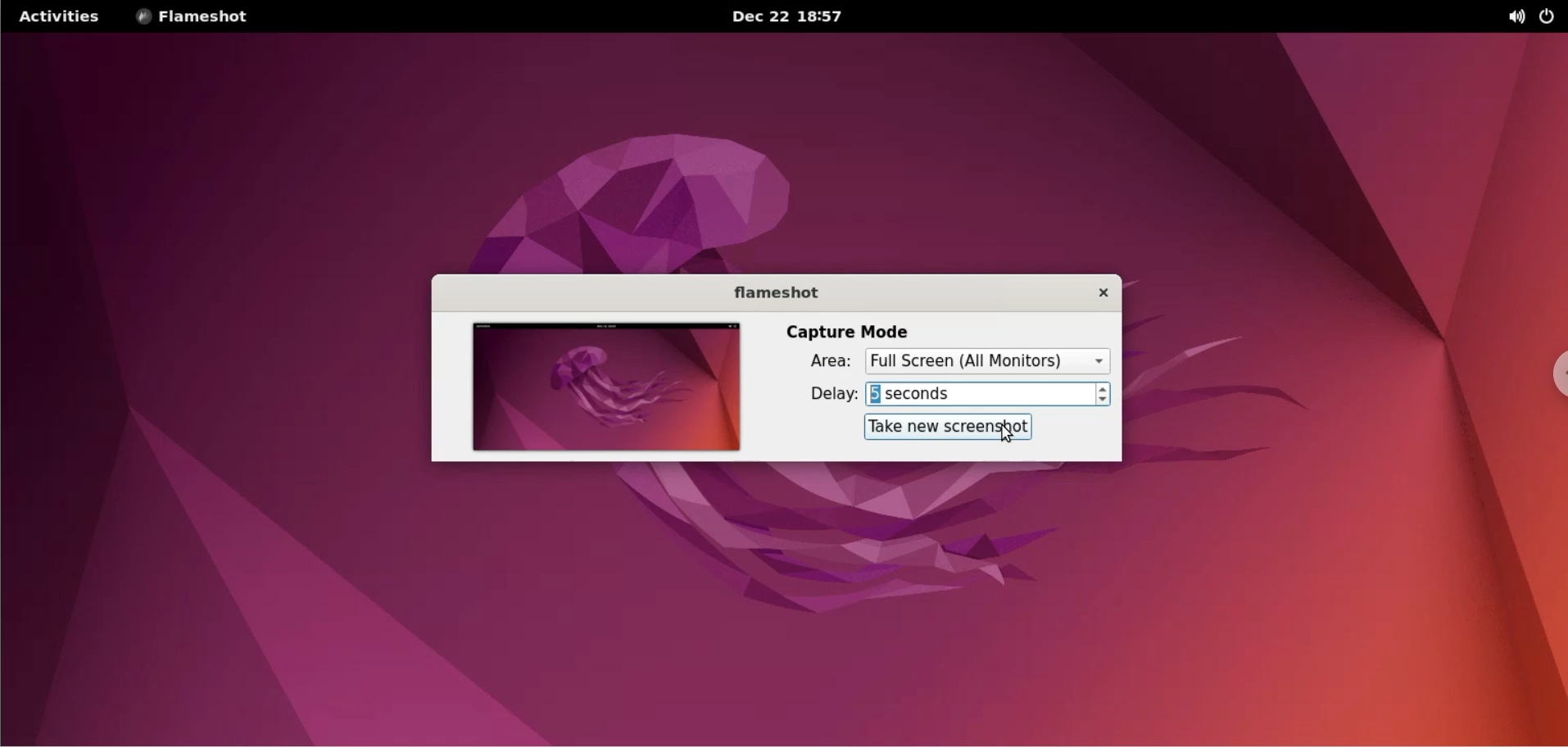 The image size is (1568, 747). What do you see at coordinates (1519, 16) in the screenshot?
I see `sound options` at bounding box center [1519, 16].